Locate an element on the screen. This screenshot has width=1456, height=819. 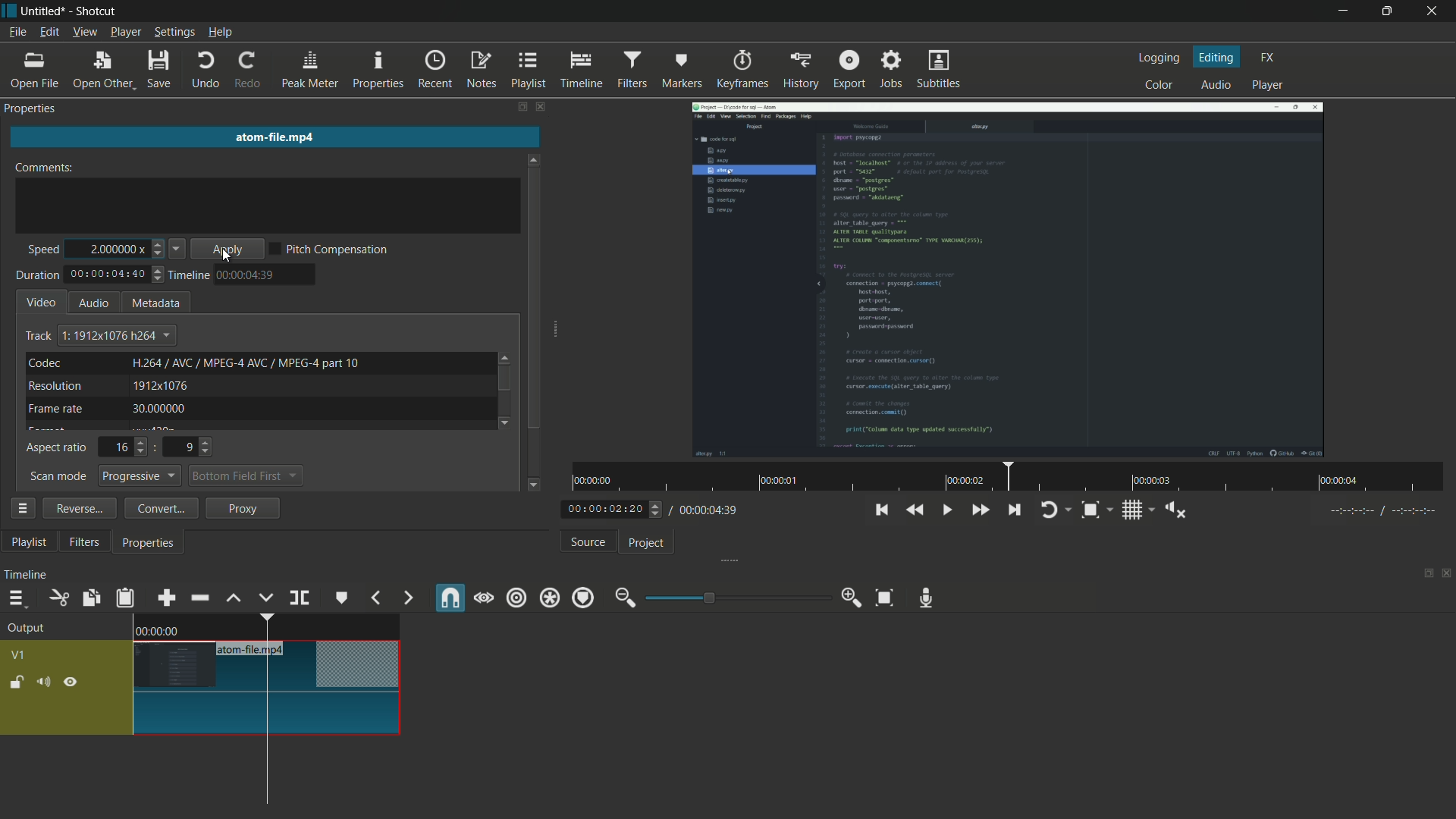
ripple delete is located at coordinates (199, 598).